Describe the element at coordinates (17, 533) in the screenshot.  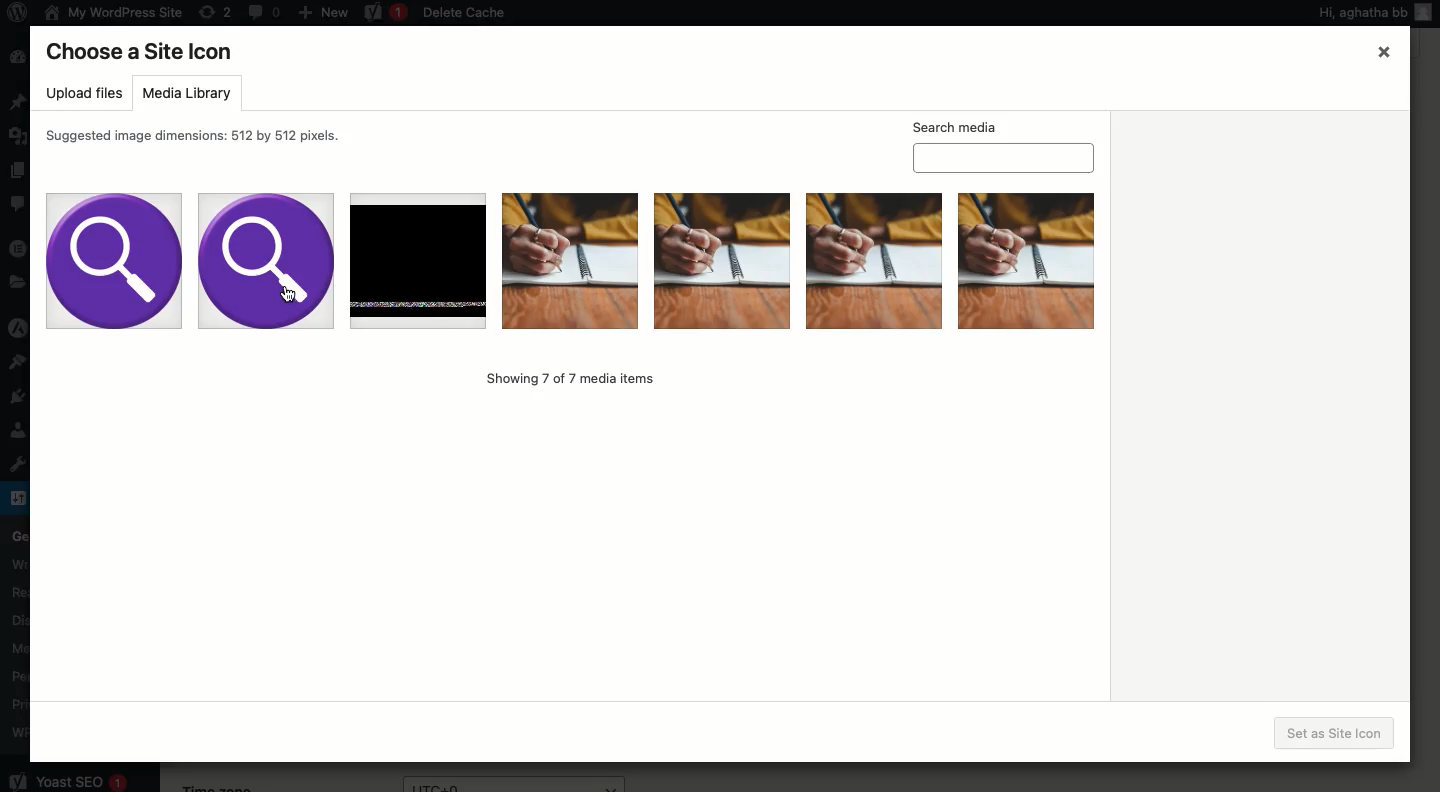
I see `General` at that location.